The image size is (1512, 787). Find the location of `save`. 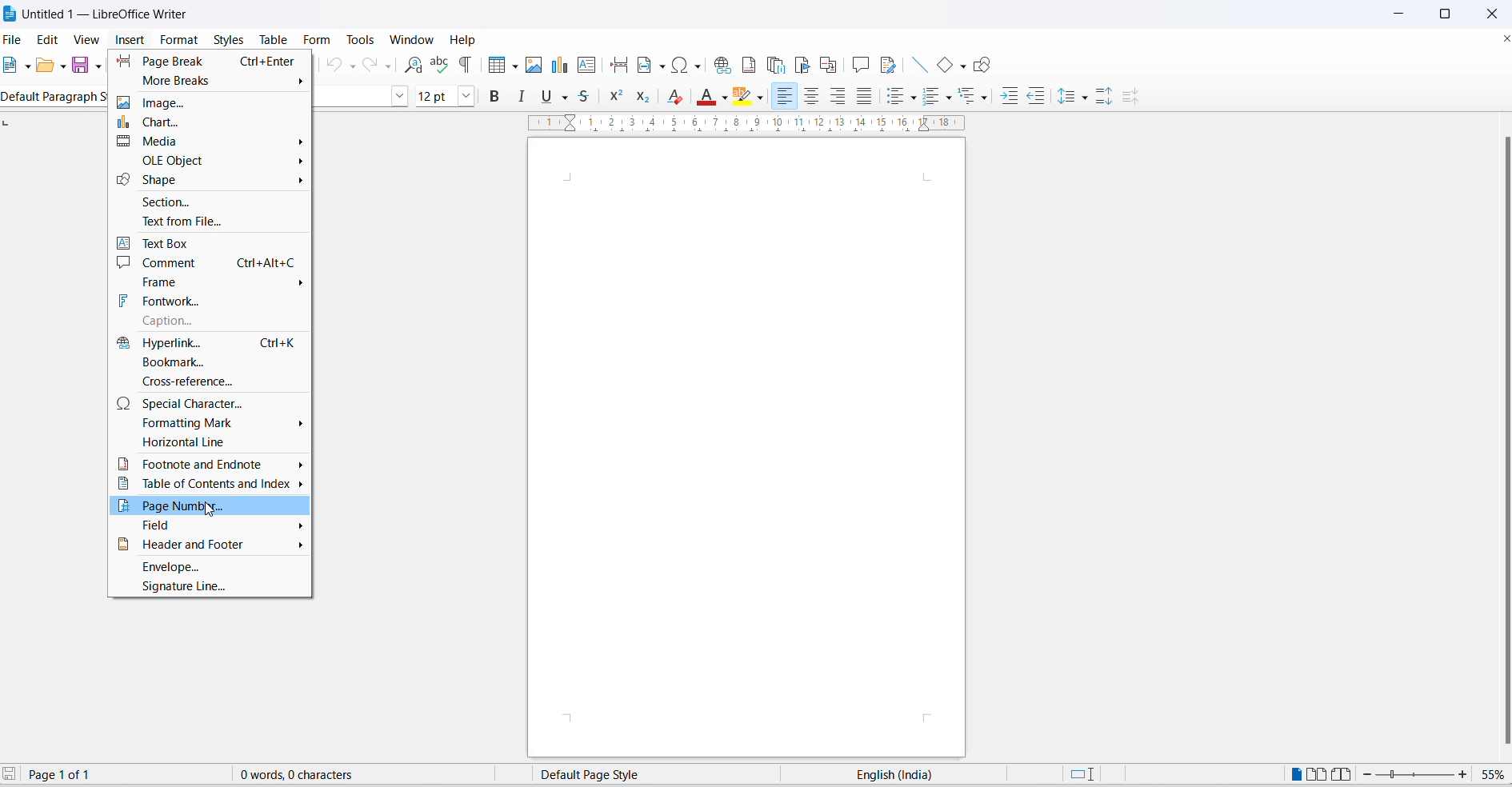

save is located at coordinates (12, 776).